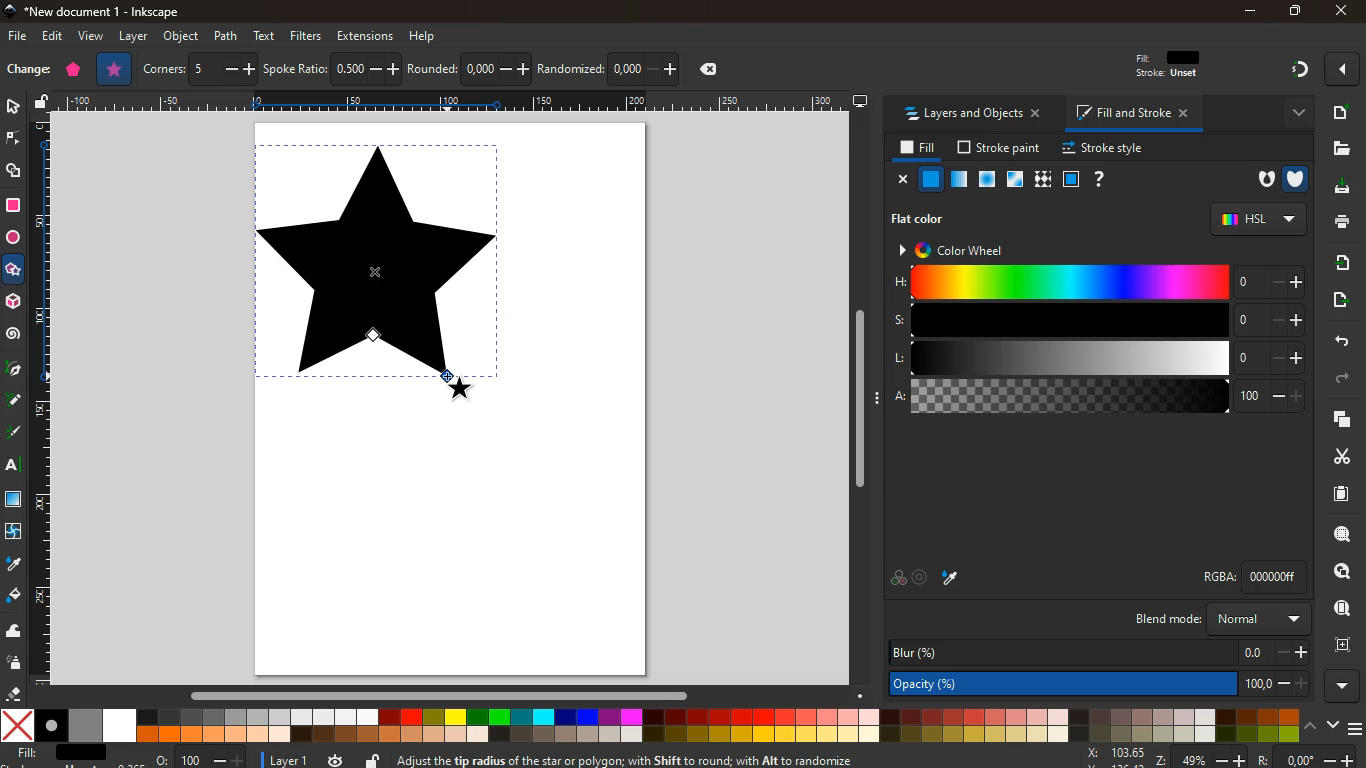  Describe the element at coordinates (50, 404) in the screenshot. I see `Draw scale` at that location.